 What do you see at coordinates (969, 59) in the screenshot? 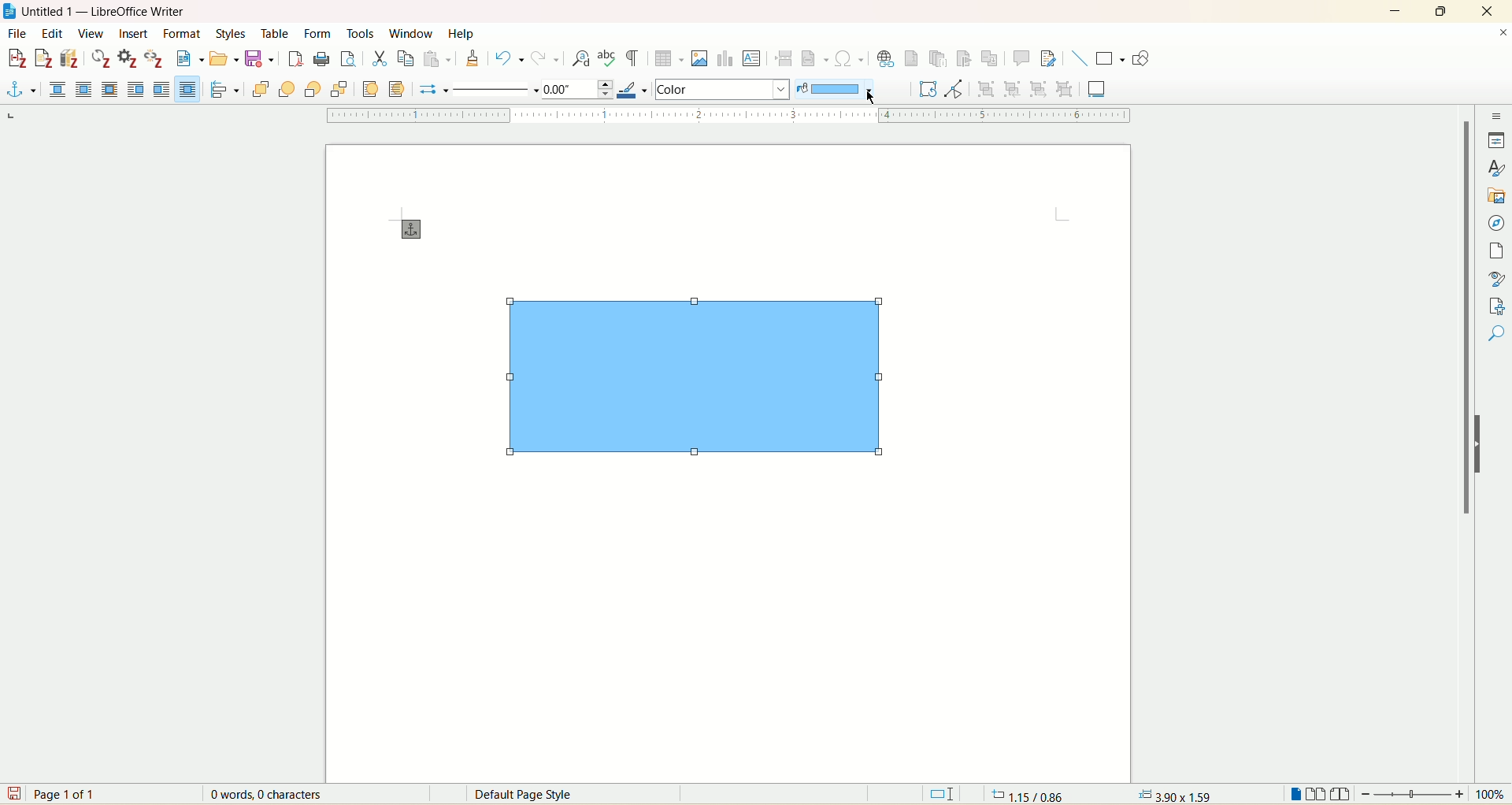
I see `insert bookmark` at bounding box center [969, 59].